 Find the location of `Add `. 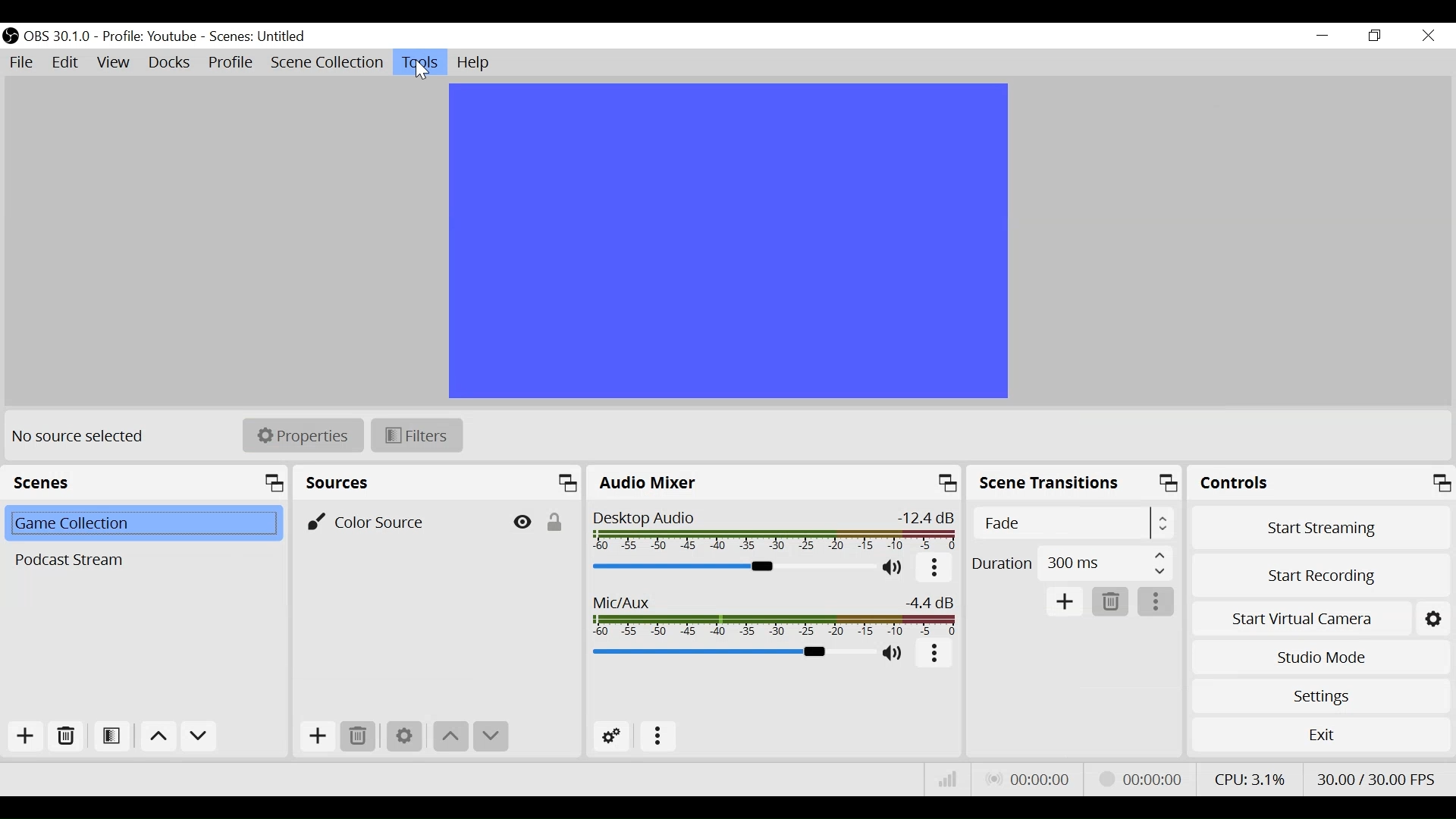

Add  is located at coordinates (318, 738).